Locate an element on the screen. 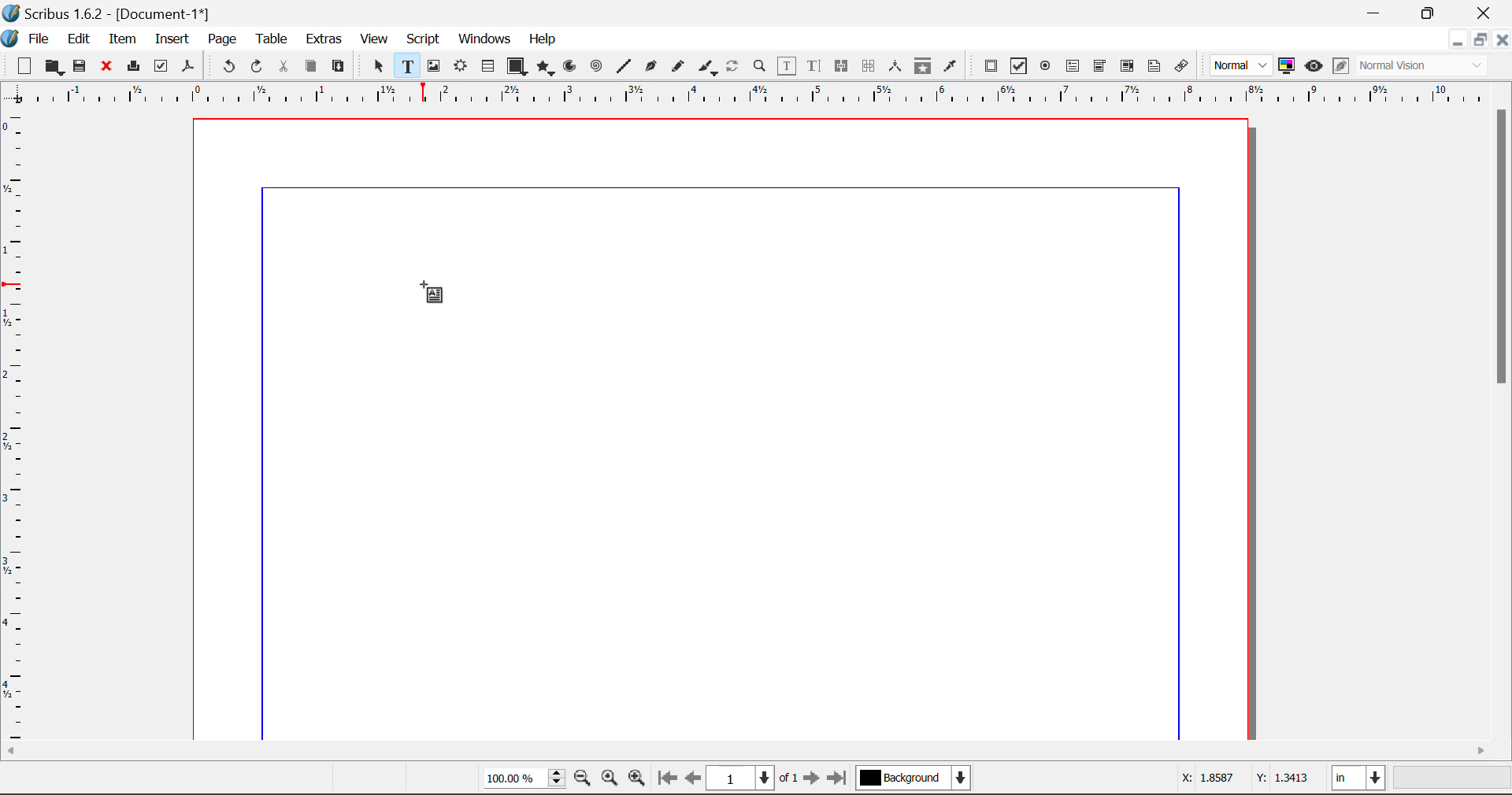 This screenshot has width=1512, height=795. Print is located at coordinates (132, 67).